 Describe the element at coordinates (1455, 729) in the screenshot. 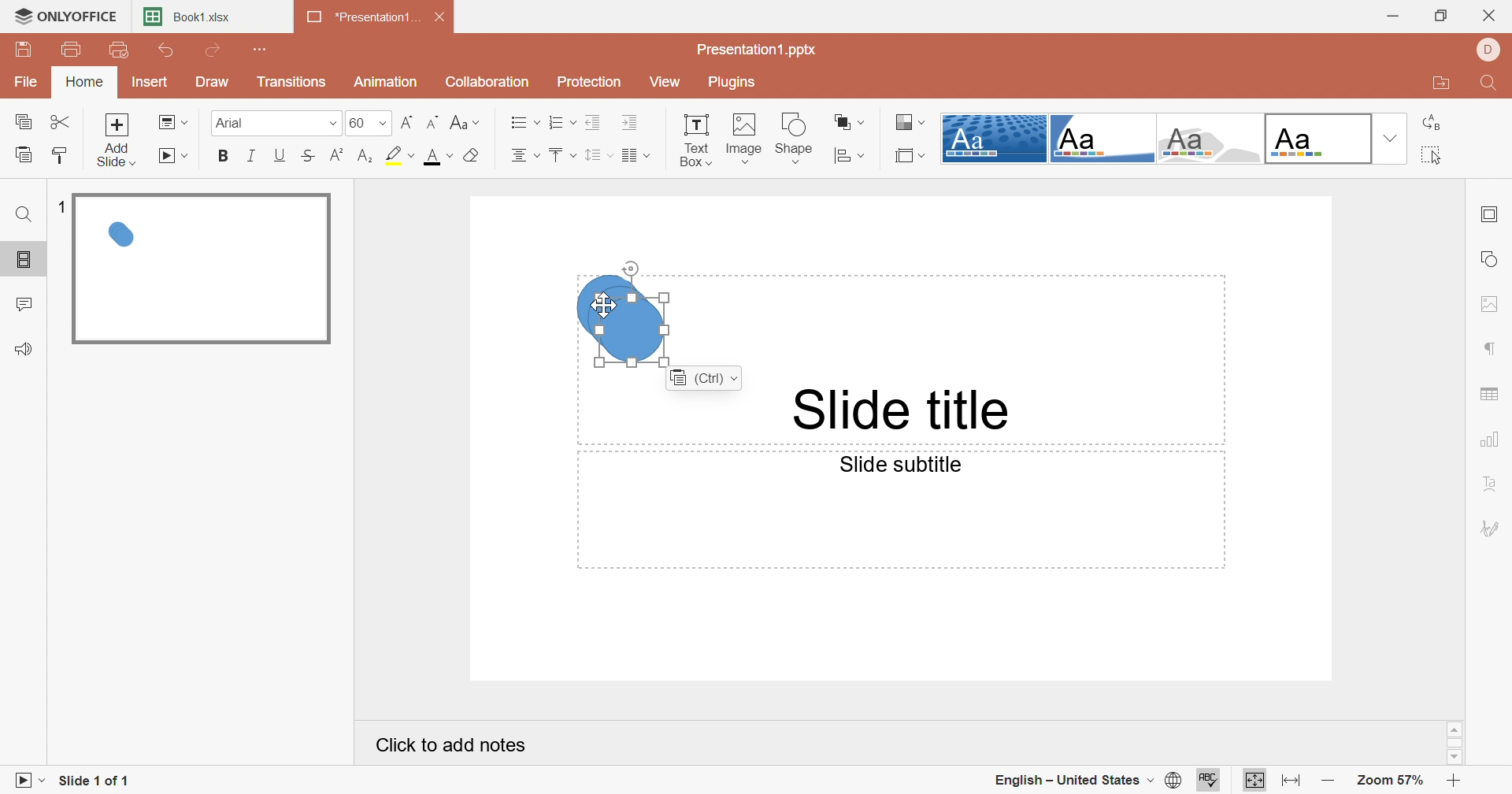

I see `Scroll up` at that location.